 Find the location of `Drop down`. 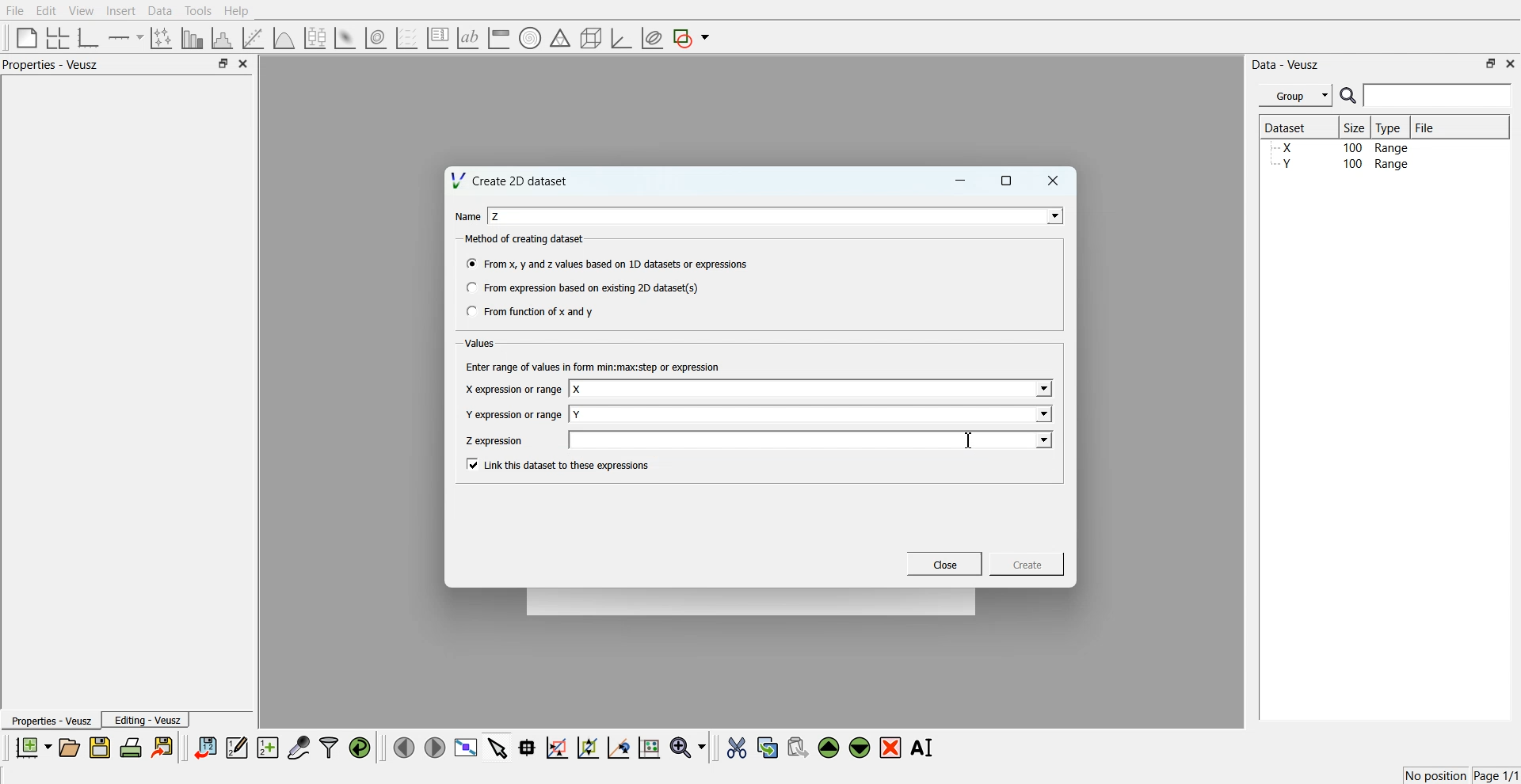

Drop down is located at coordinates (1042, 390).